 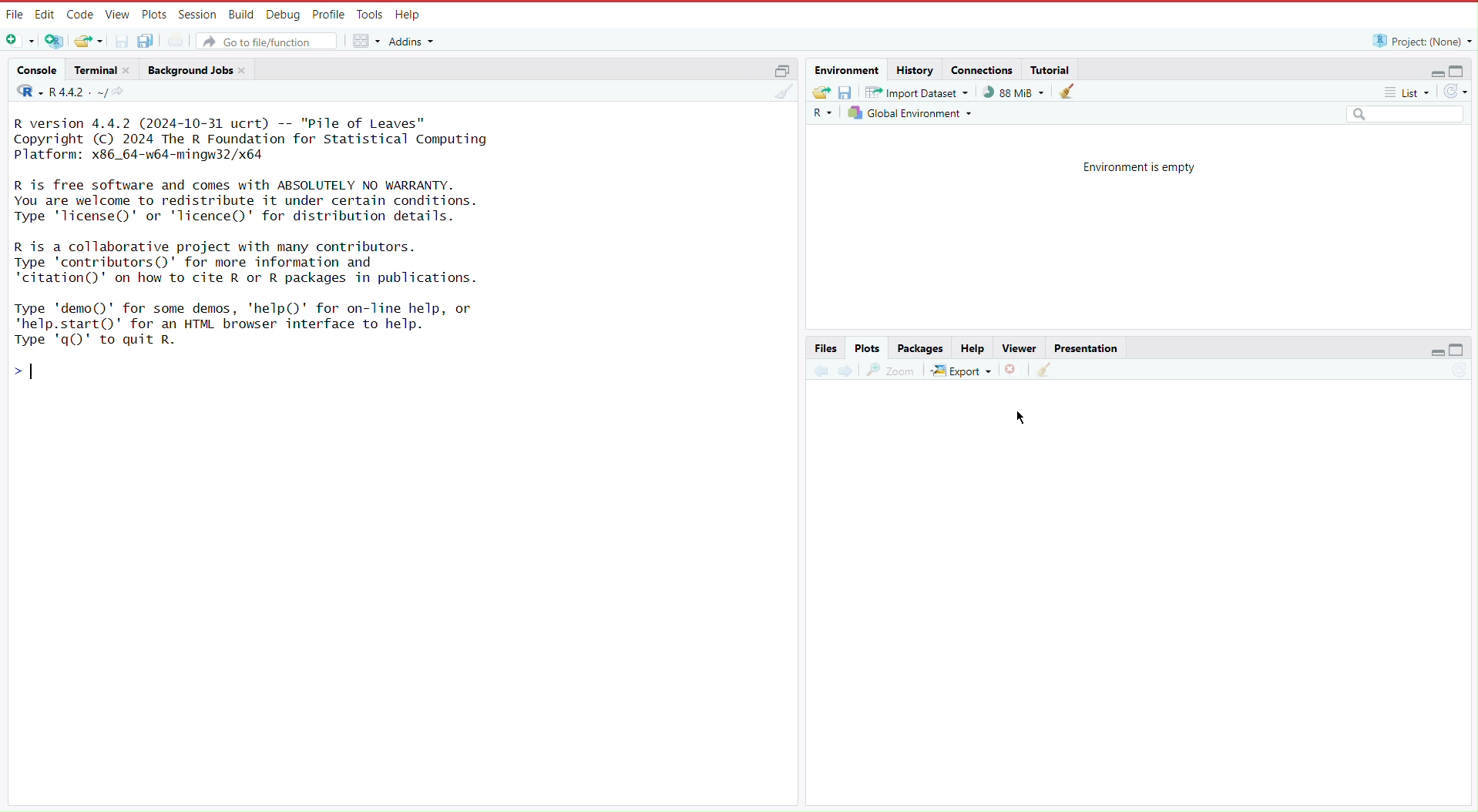 I want to click on Prompt cursor, so click(x=30, y=377).